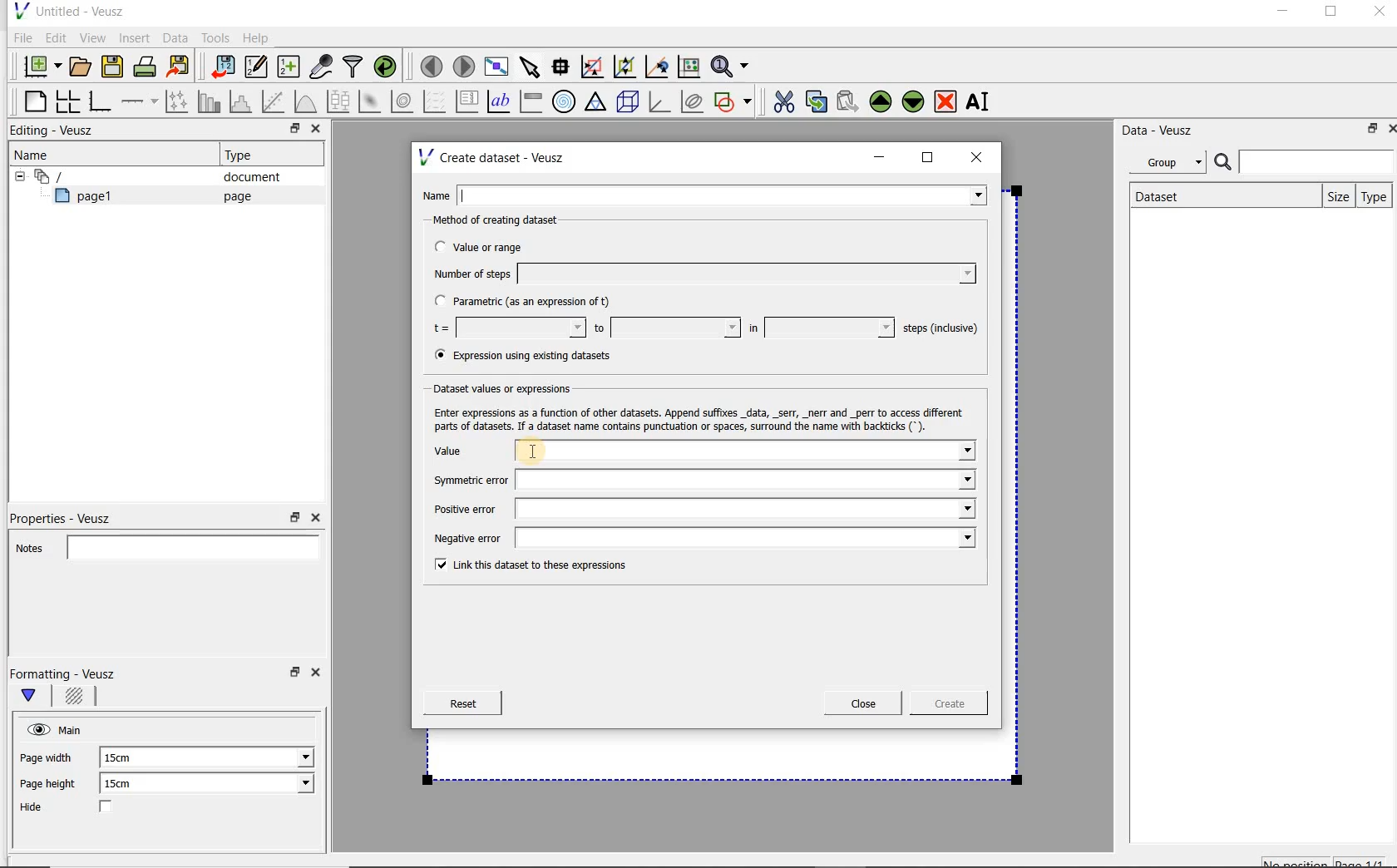 The image size is (1397, 868). Describe the element at coordinates (1281, 13) in the screenshot. I see `minimize` at that location.